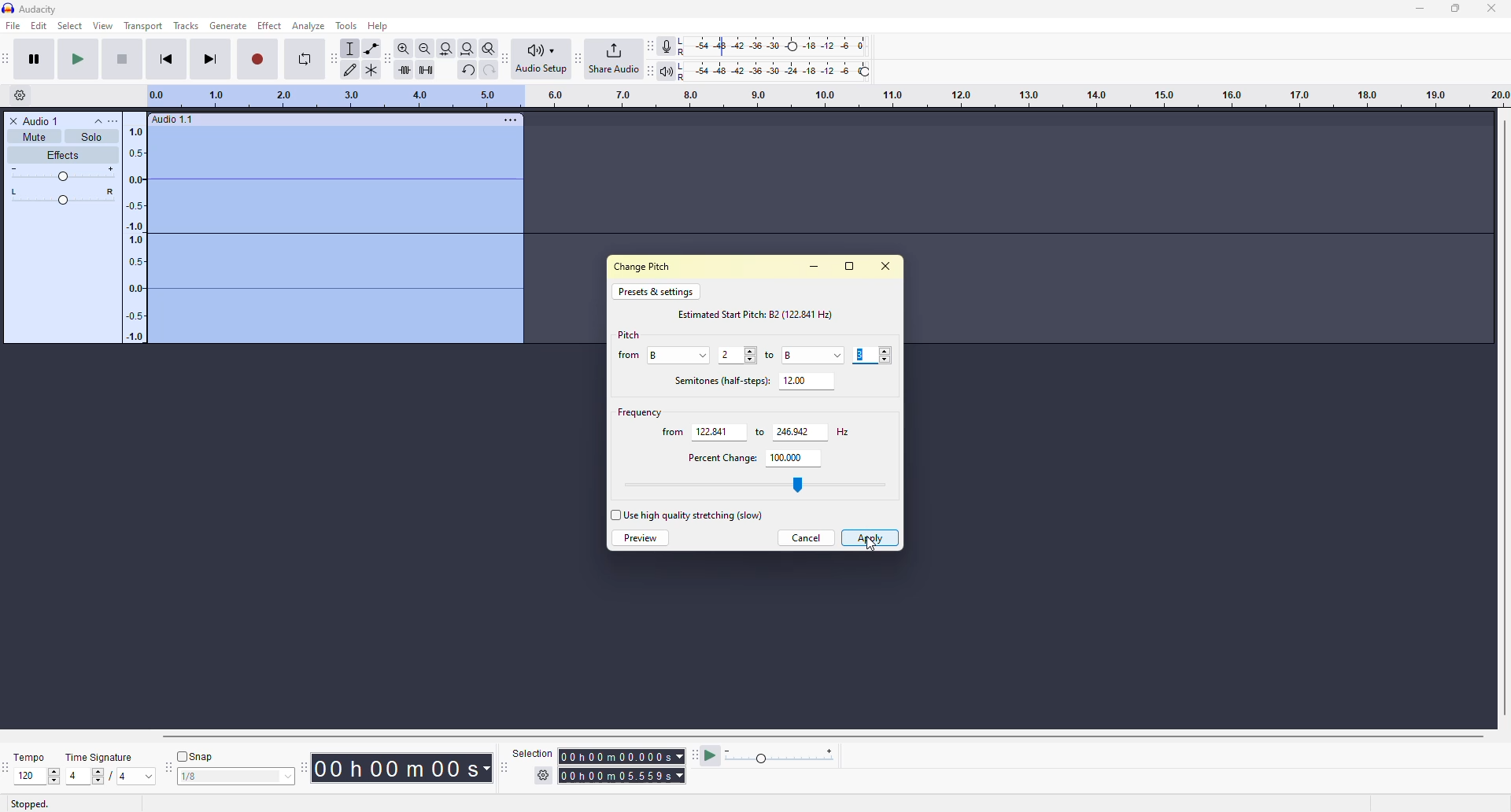 This screenshot has height=812, width=1511. Describe the element at coordinates (577, 58) in the screenshot. I see `share audio toolbar` at that location.